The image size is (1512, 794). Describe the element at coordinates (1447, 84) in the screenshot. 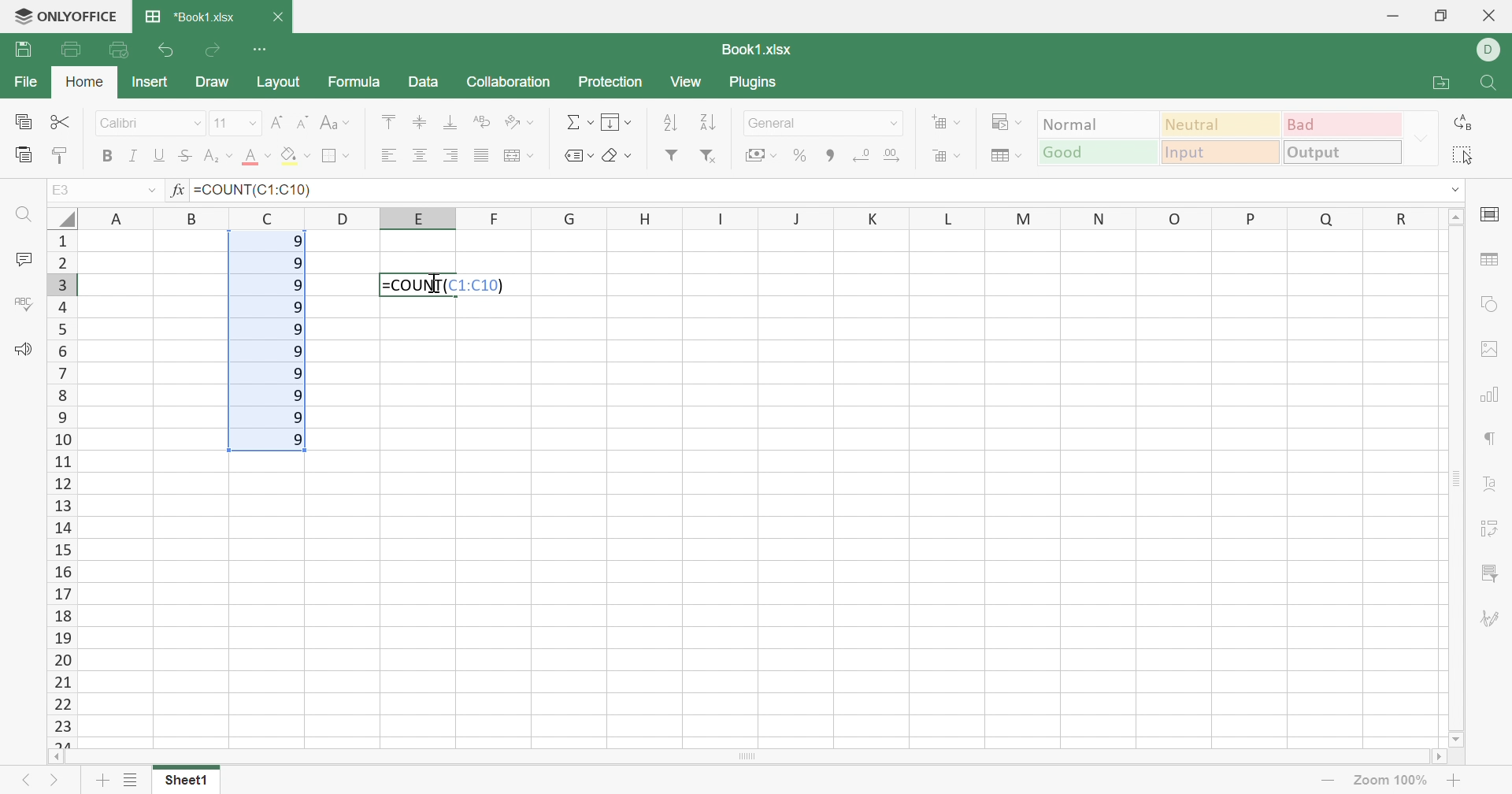

I see `Open file location` at that location.